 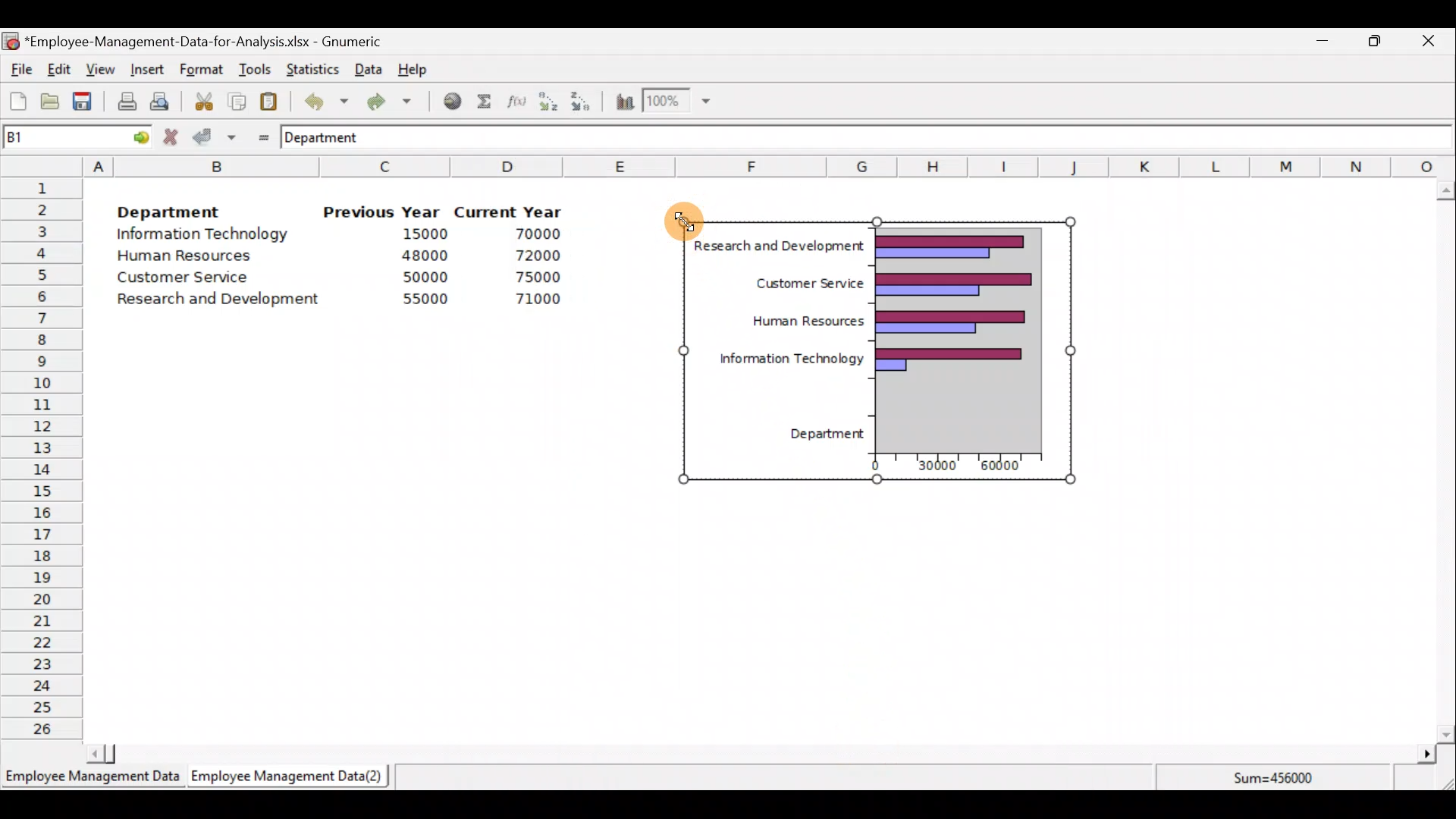 I want to click on Paste the clipboard, so click(x=268, y=101).